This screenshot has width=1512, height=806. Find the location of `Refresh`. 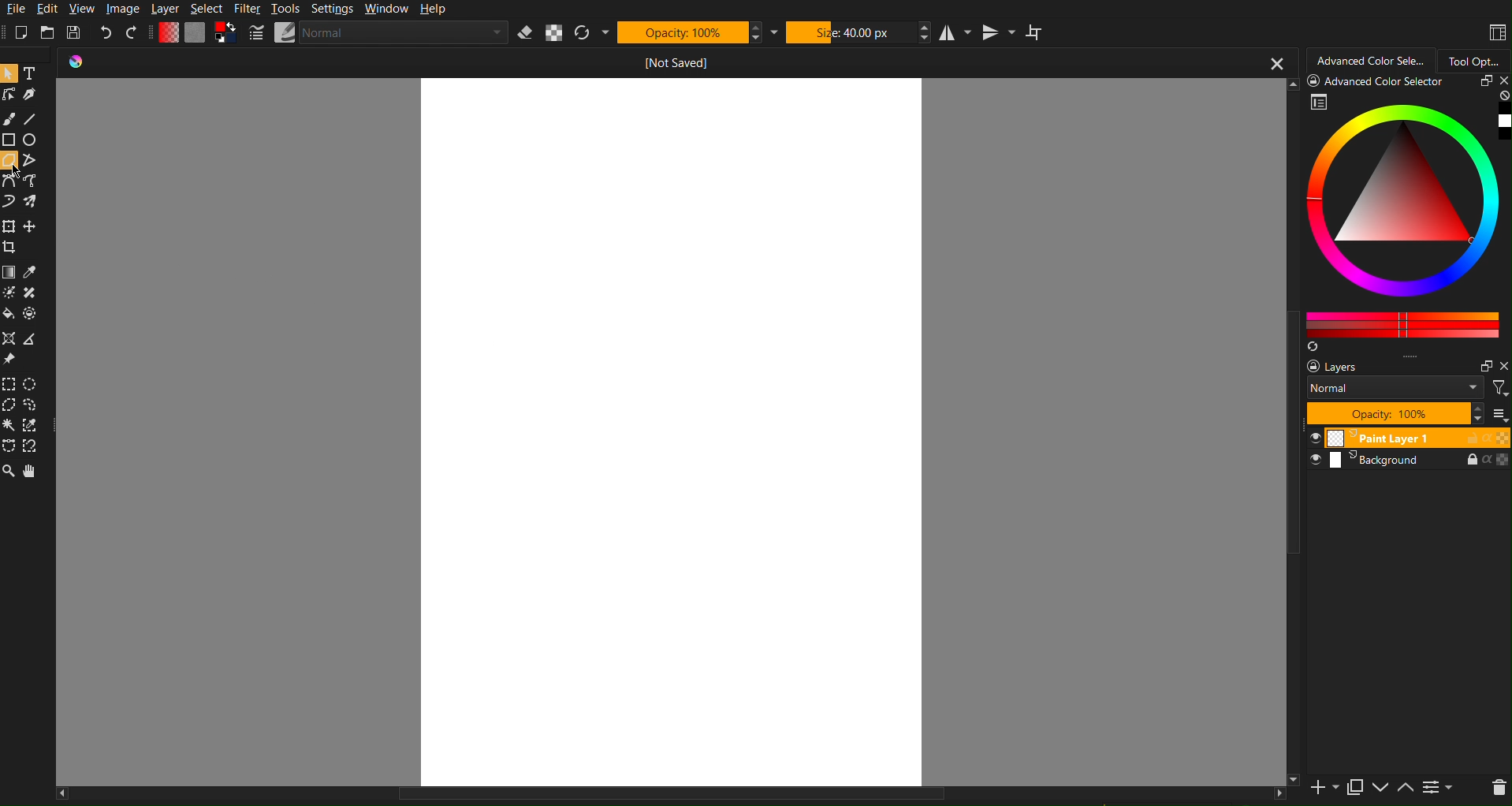

Refresh is located at coordinates (584, 33).